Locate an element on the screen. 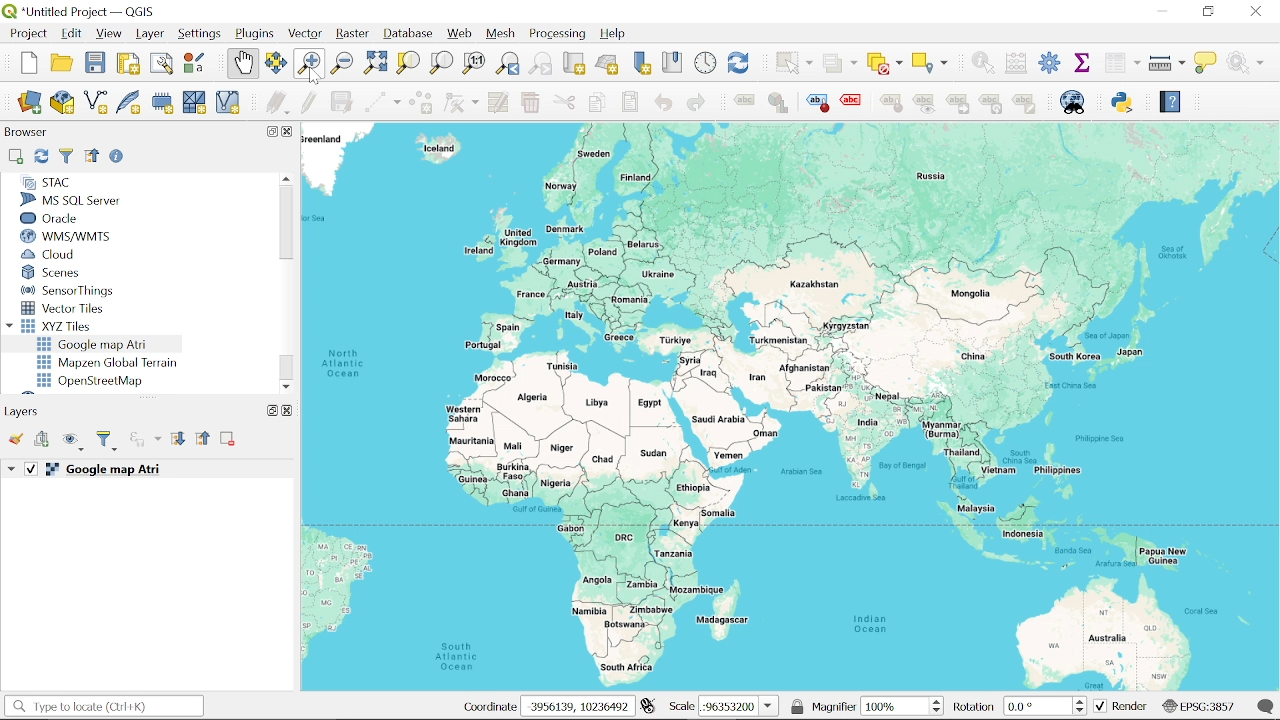  Toggle editing is located at coordinates (309, 103).